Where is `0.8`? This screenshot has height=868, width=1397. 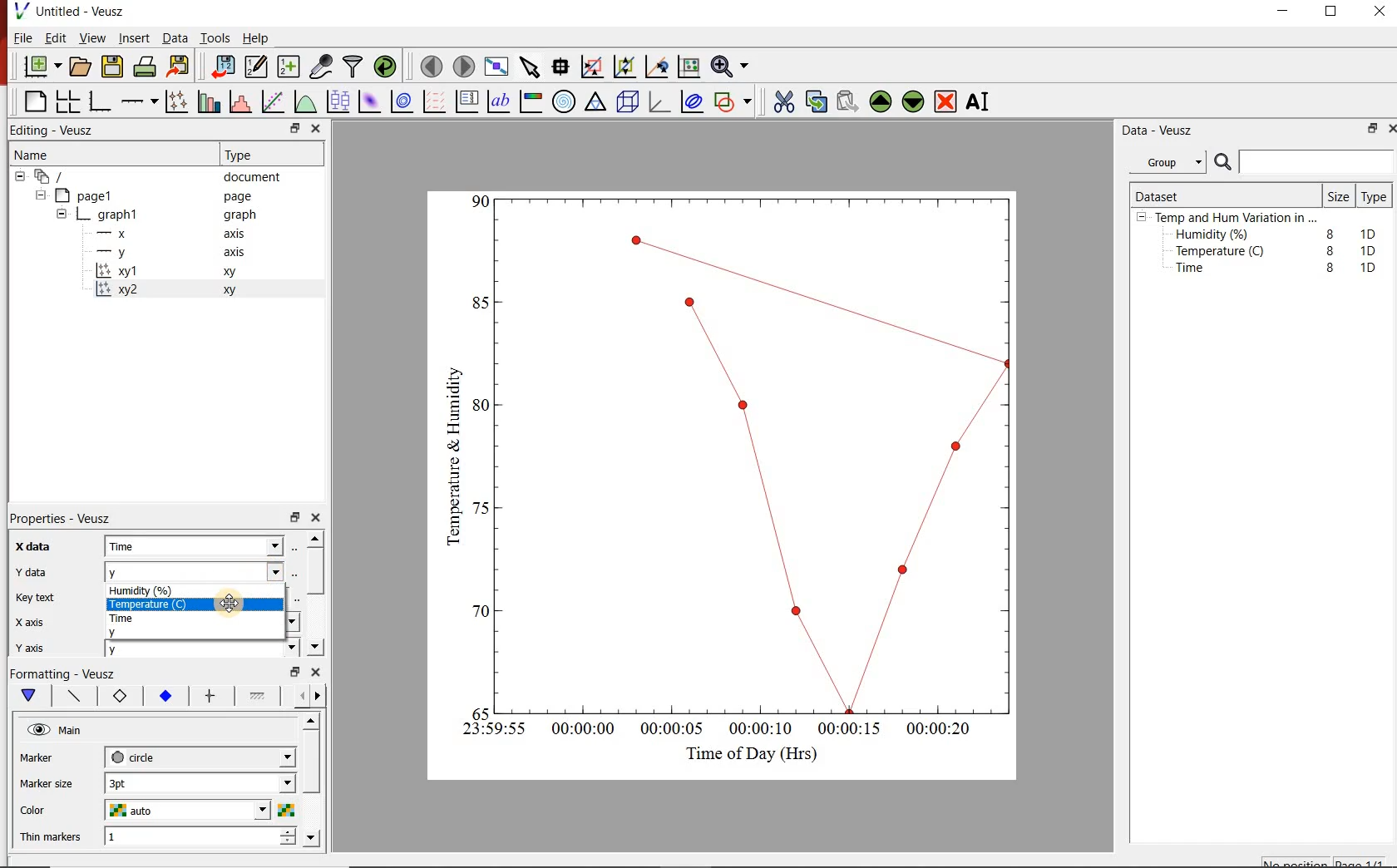
0.8 is located at coordinates (479, 302).